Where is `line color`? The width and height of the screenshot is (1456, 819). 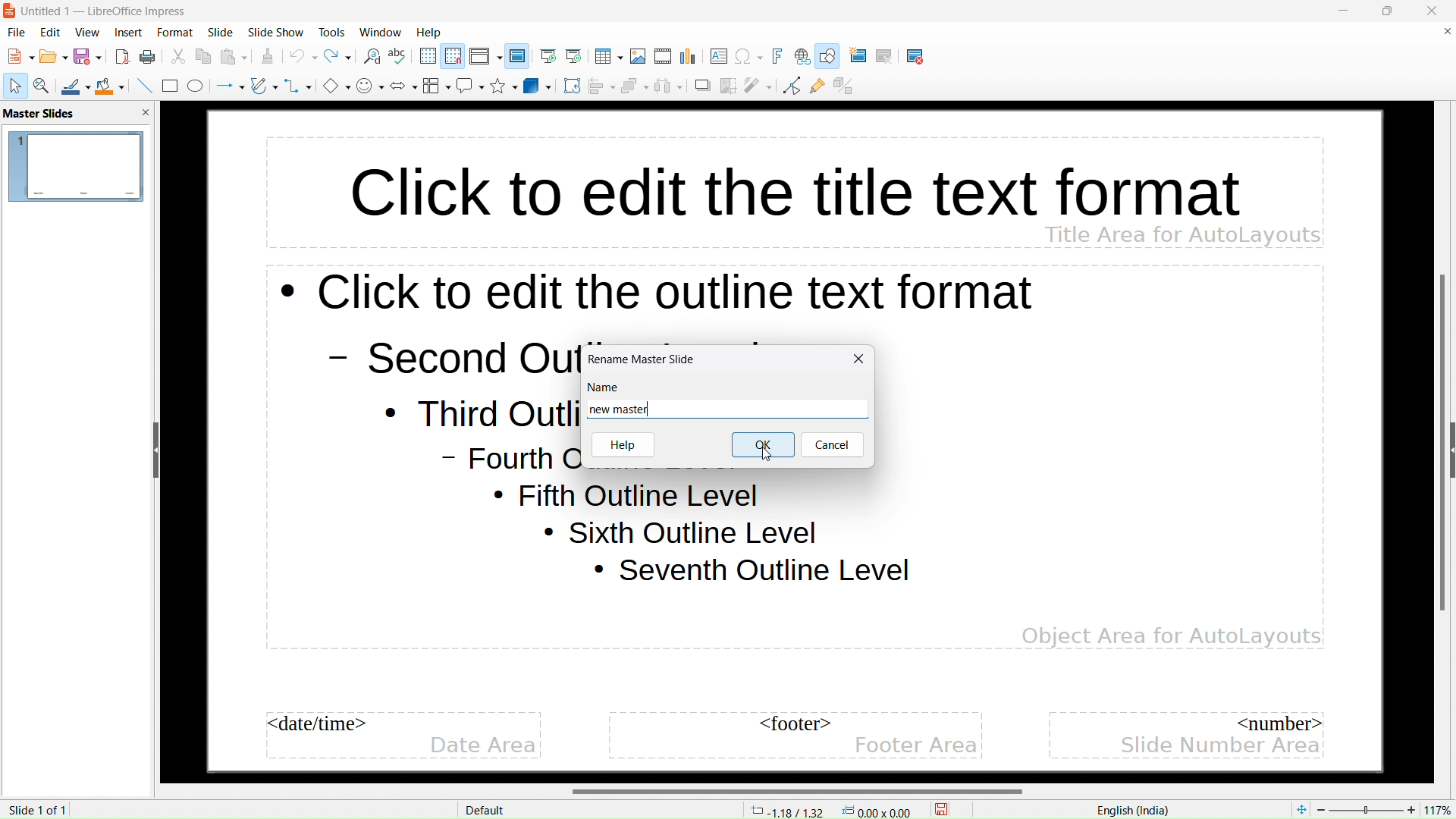
line color is located at coordinates (77, 85).